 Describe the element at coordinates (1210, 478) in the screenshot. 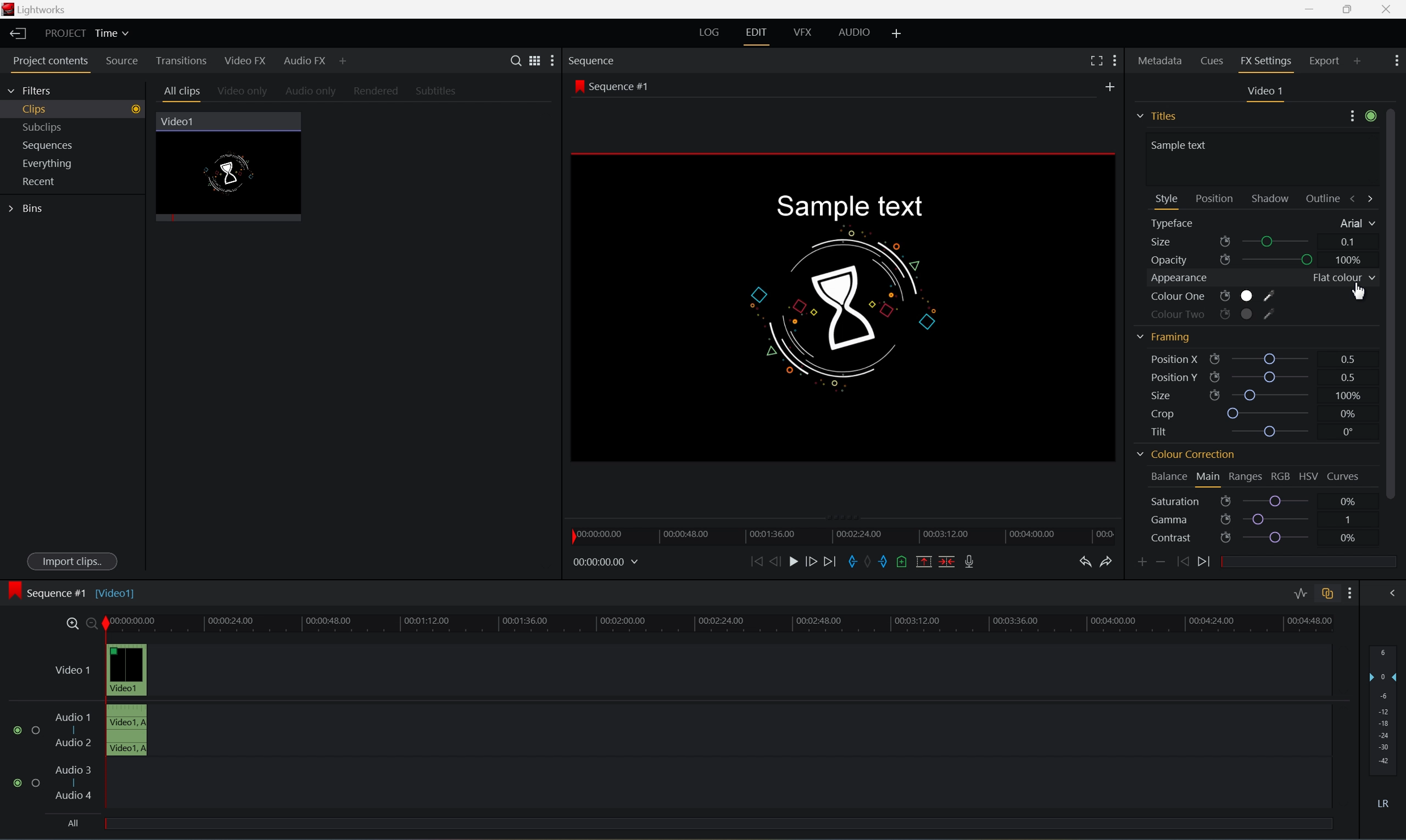

I see `main` at that location.